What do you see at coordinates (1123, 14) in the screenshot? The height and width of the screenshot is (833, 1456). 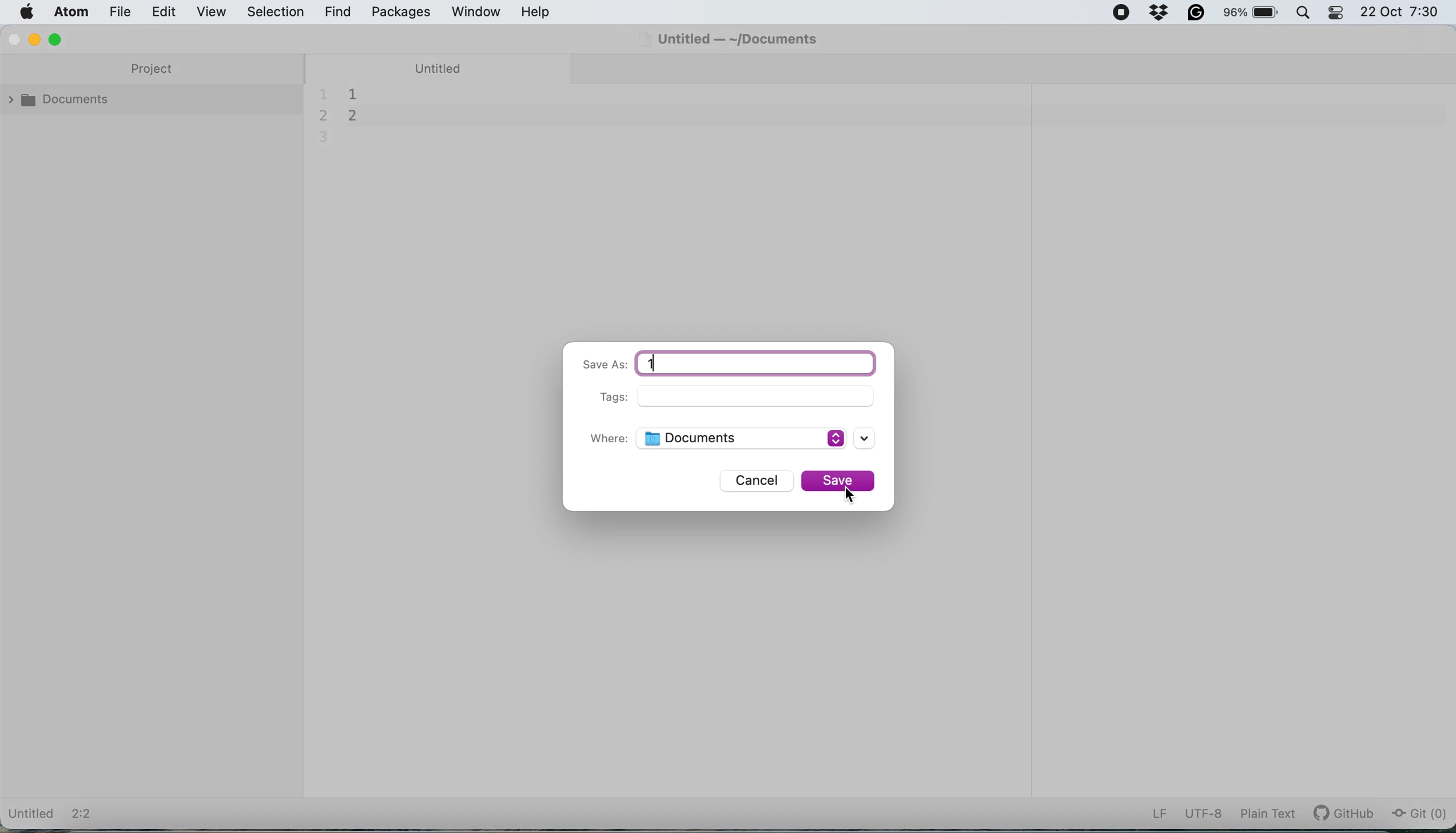 I see `screen recorder` at bounding box center [1123, 14].